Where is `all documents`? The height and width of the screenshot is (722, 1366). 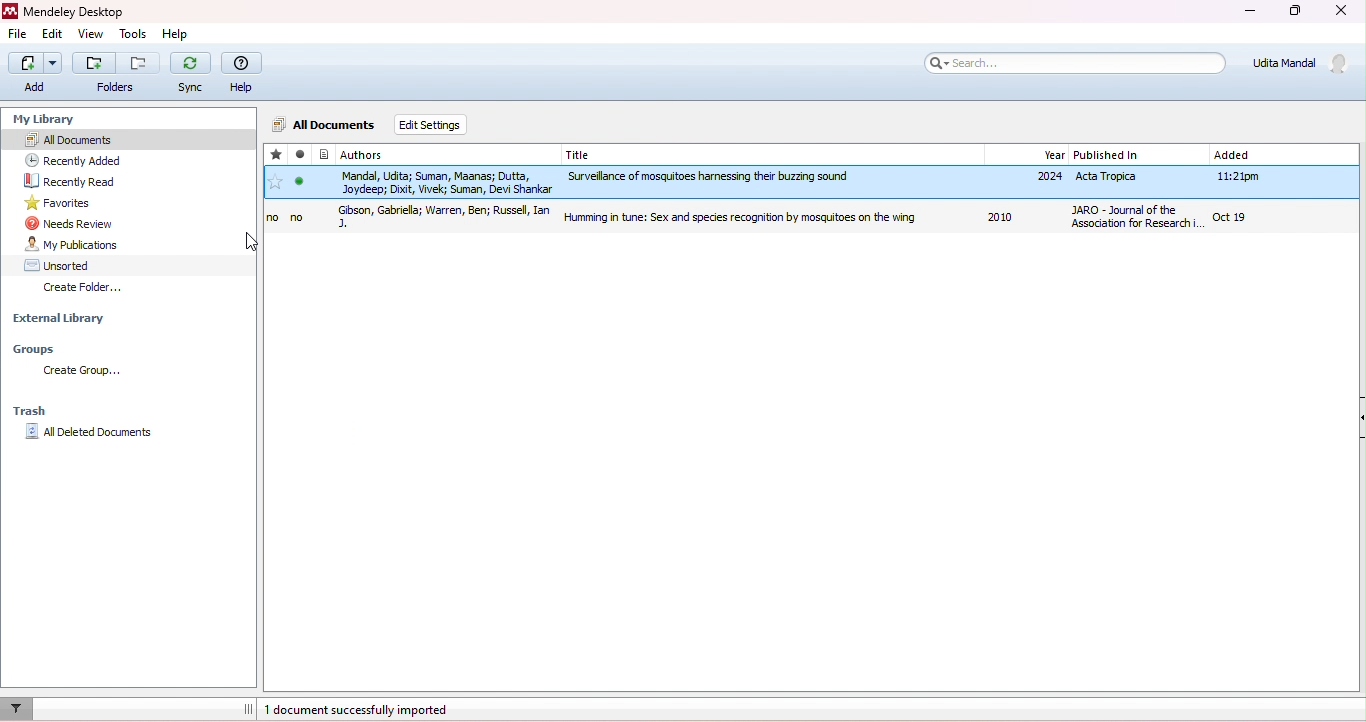 all documents is located at coordinates (67, 140).